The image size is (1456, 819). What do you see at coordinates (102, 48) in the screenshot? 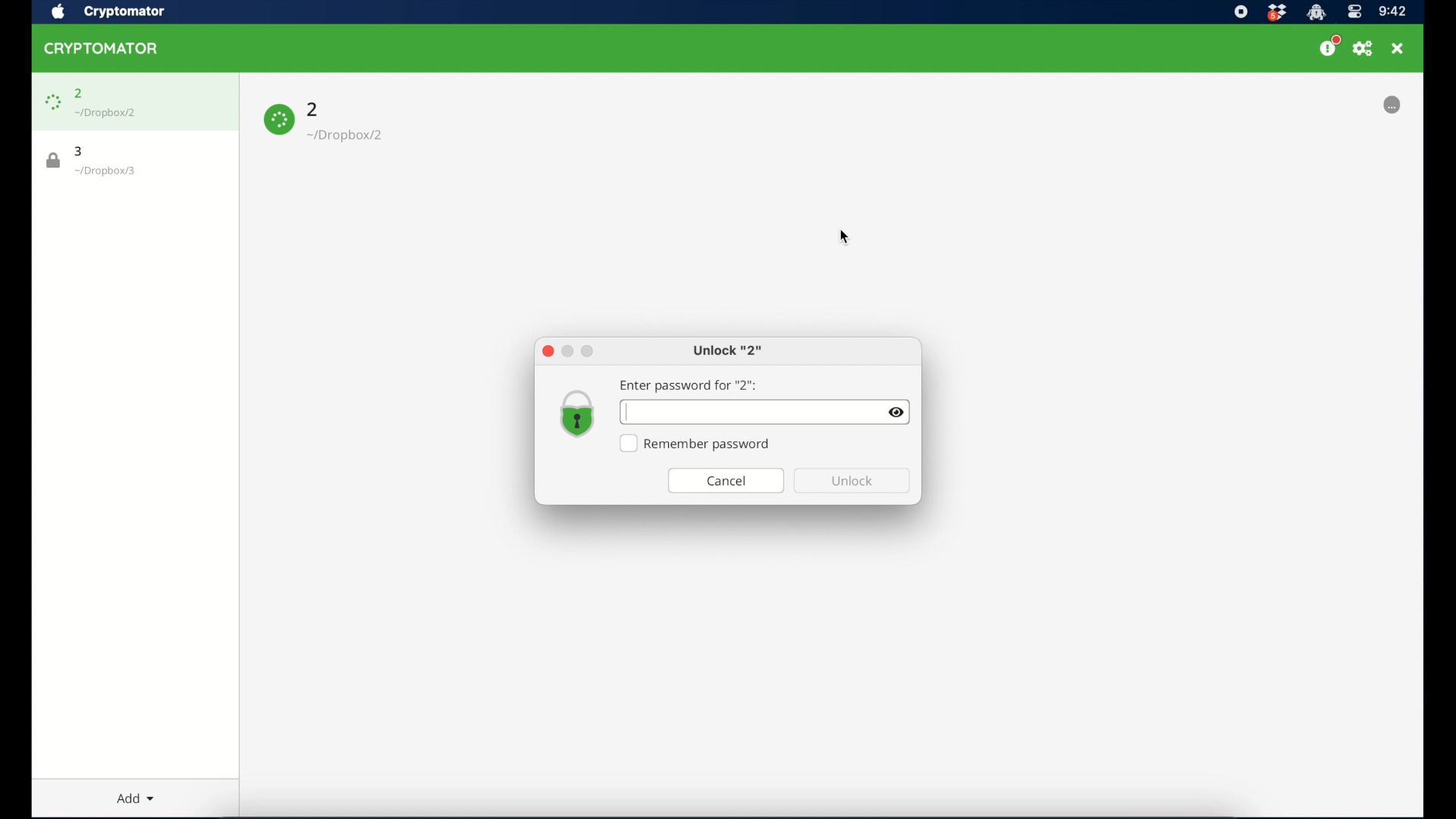
I see `cryptomator` at bounding box center [102, 48].